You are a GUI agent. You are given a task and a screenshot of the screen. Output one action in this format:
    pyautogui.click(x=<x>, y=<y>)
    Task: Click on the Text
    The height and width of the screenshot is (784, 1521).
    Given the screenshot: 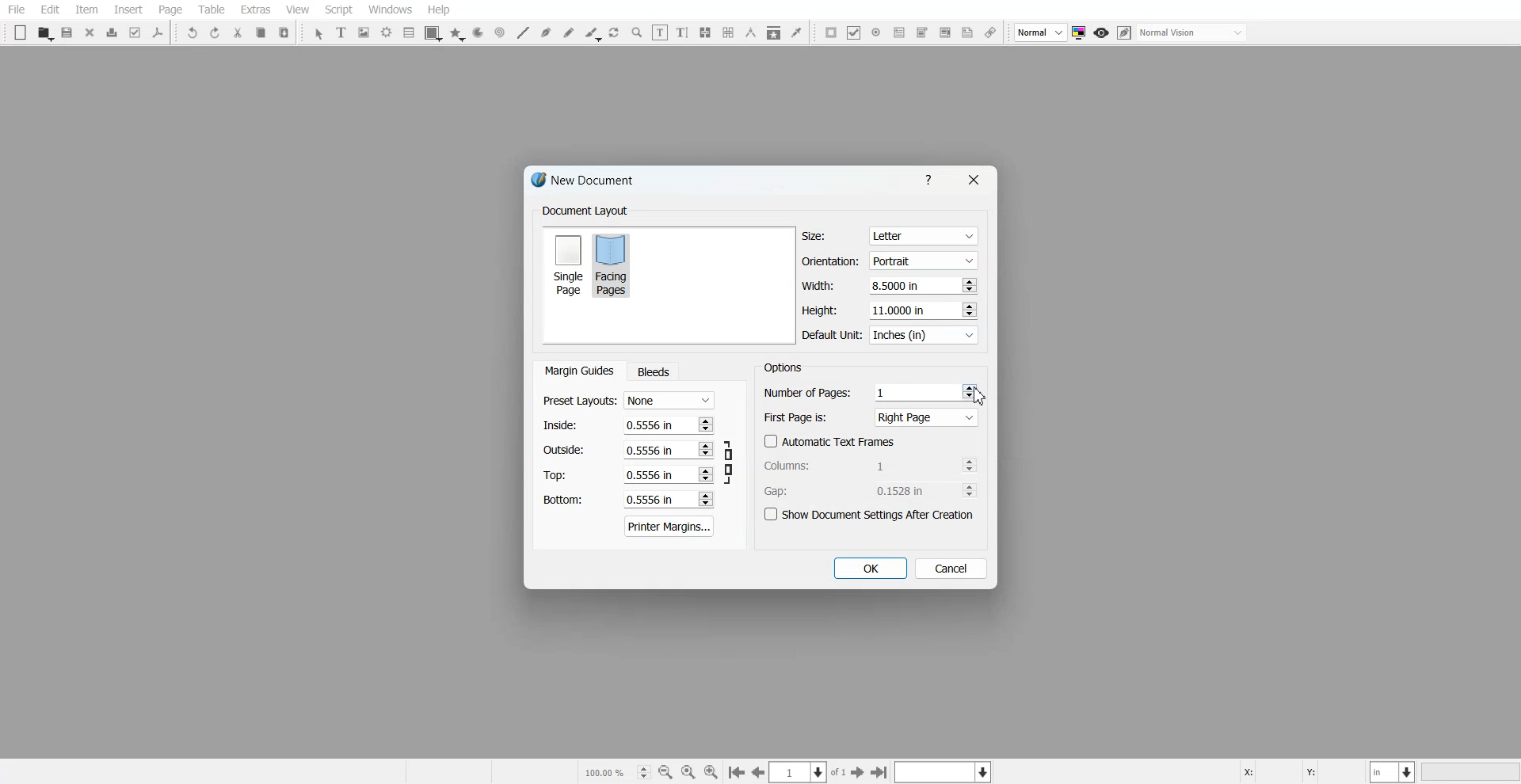 What is the action you would take?
    pyautogui.click(x=589, y=182)
    